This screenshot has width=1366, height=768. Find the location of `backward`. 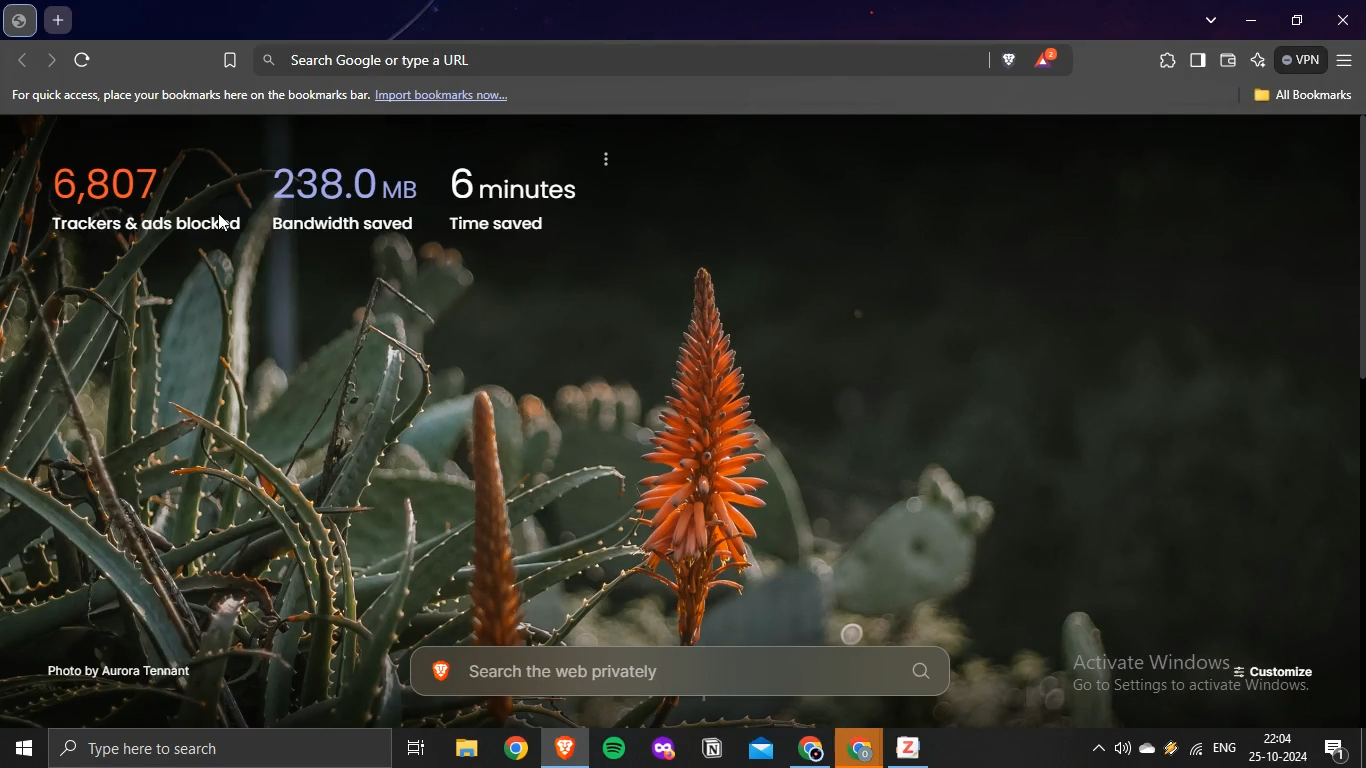

backward is located at coordinates (24, 59).